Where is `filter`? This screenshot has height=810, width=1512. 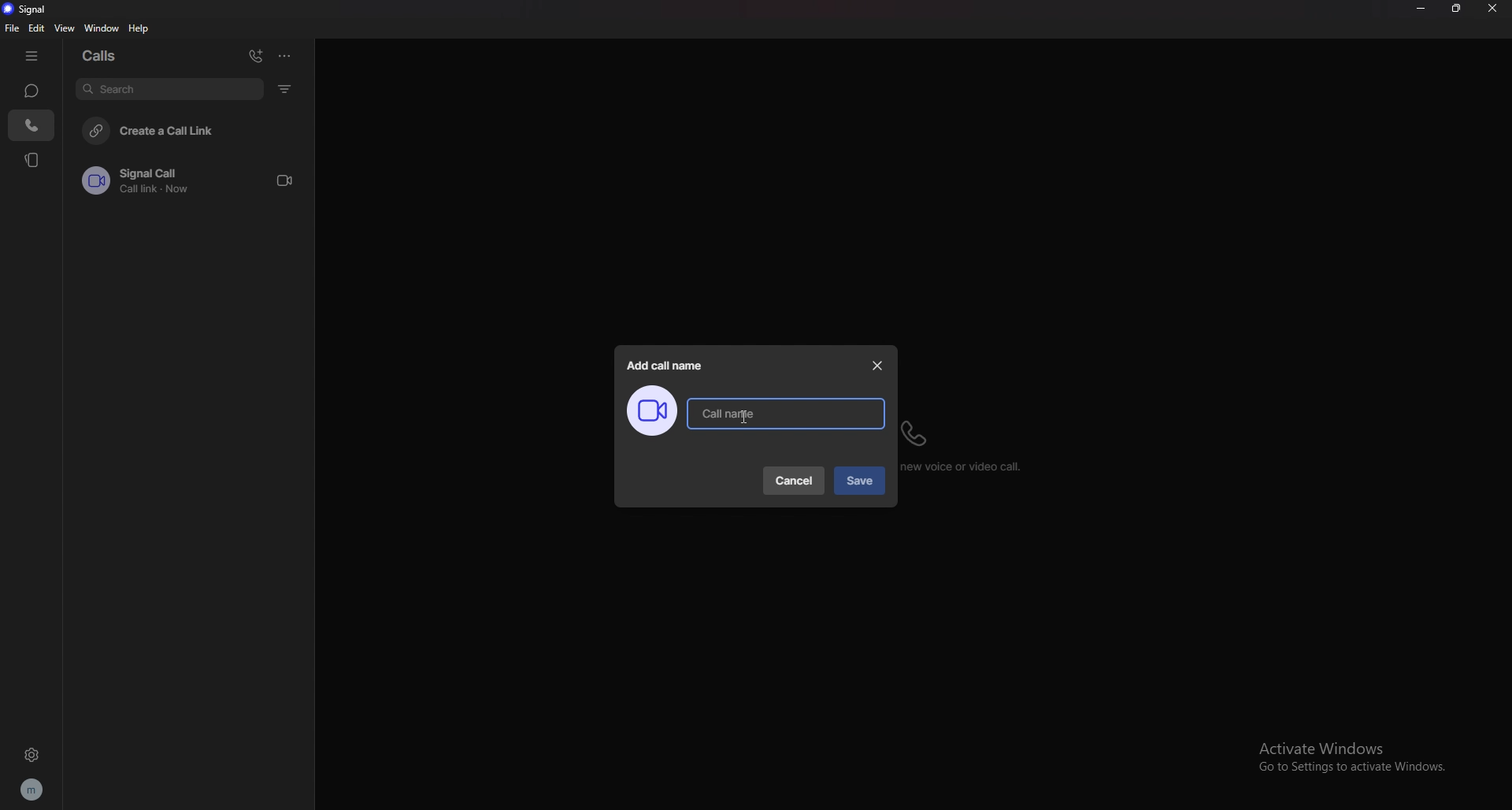 filter is located at coordinates (287, 88).